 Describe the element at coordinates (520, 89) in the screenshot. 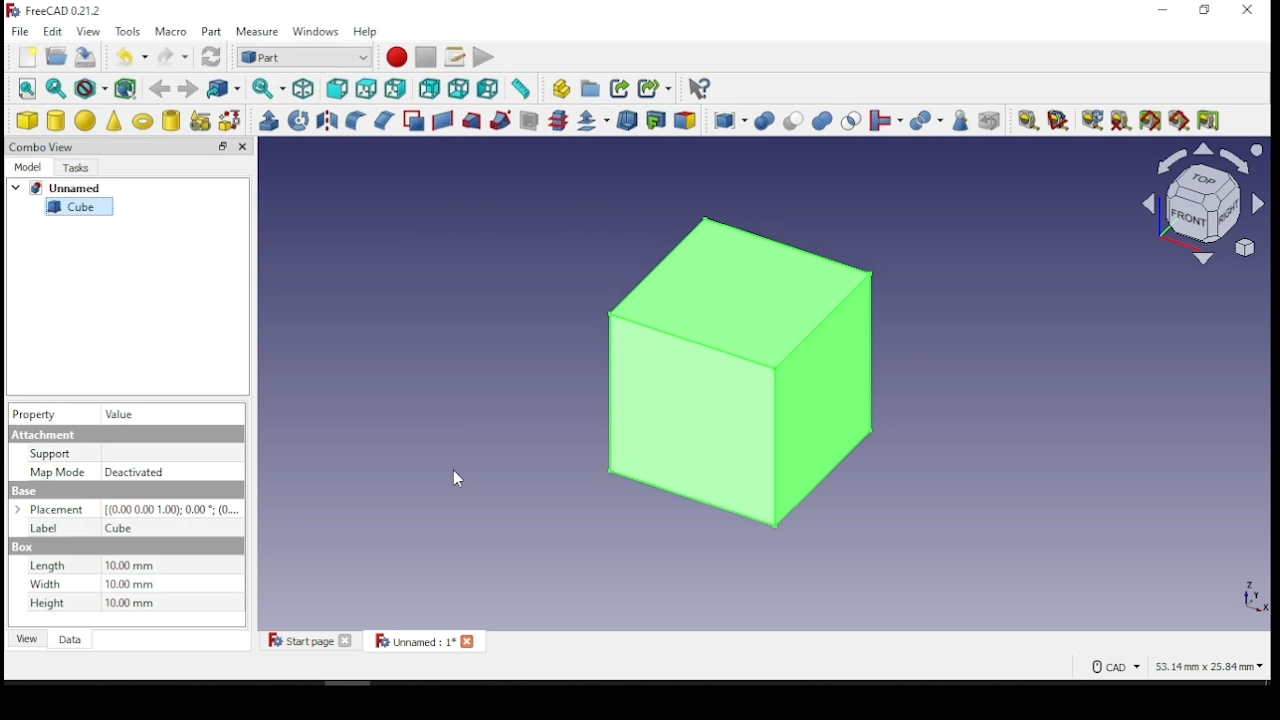

I see `measure distance` at that location.